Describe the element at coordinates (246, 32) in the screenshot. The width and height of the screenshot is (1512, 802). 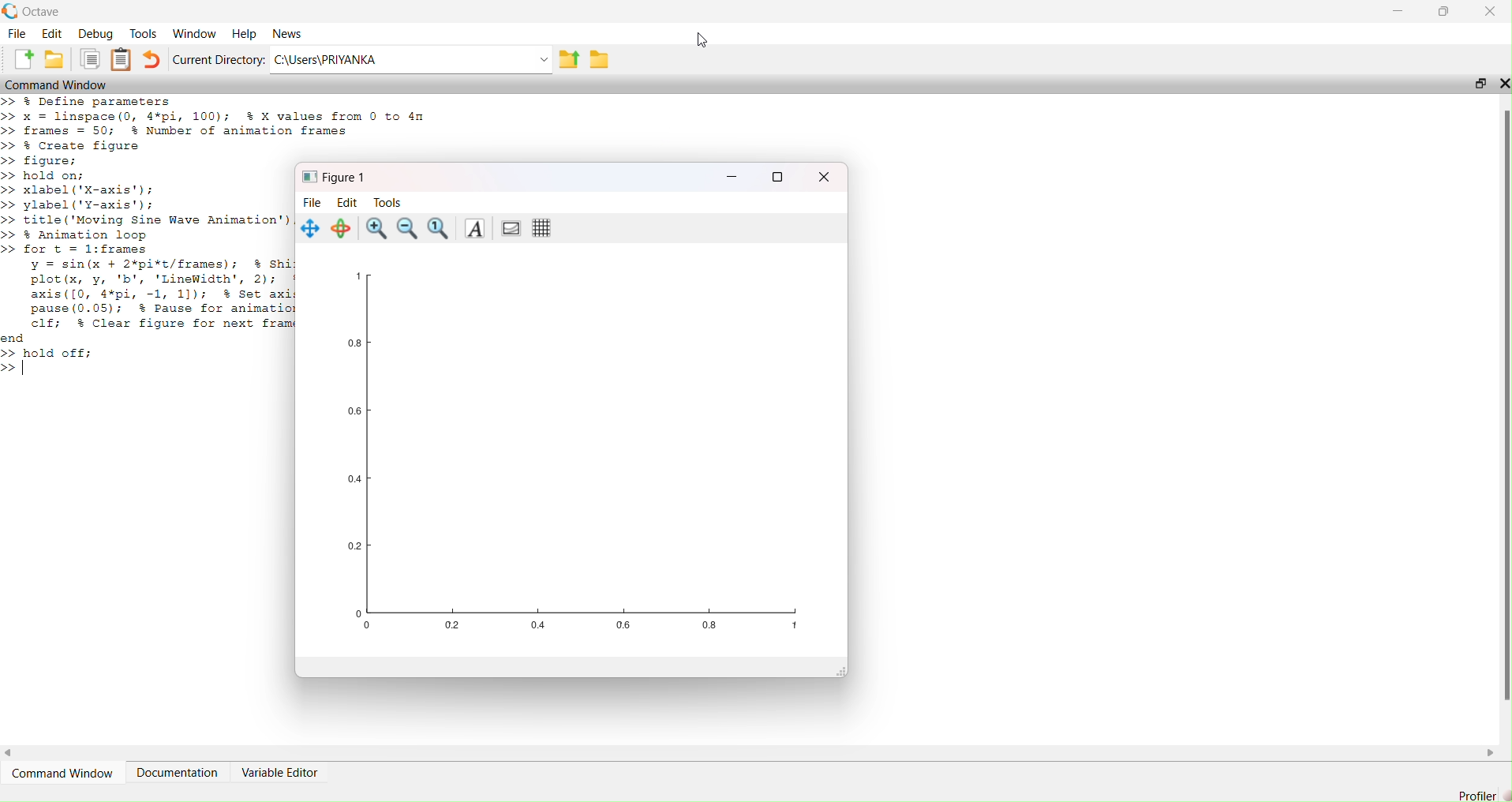
I see `Help` at that location.